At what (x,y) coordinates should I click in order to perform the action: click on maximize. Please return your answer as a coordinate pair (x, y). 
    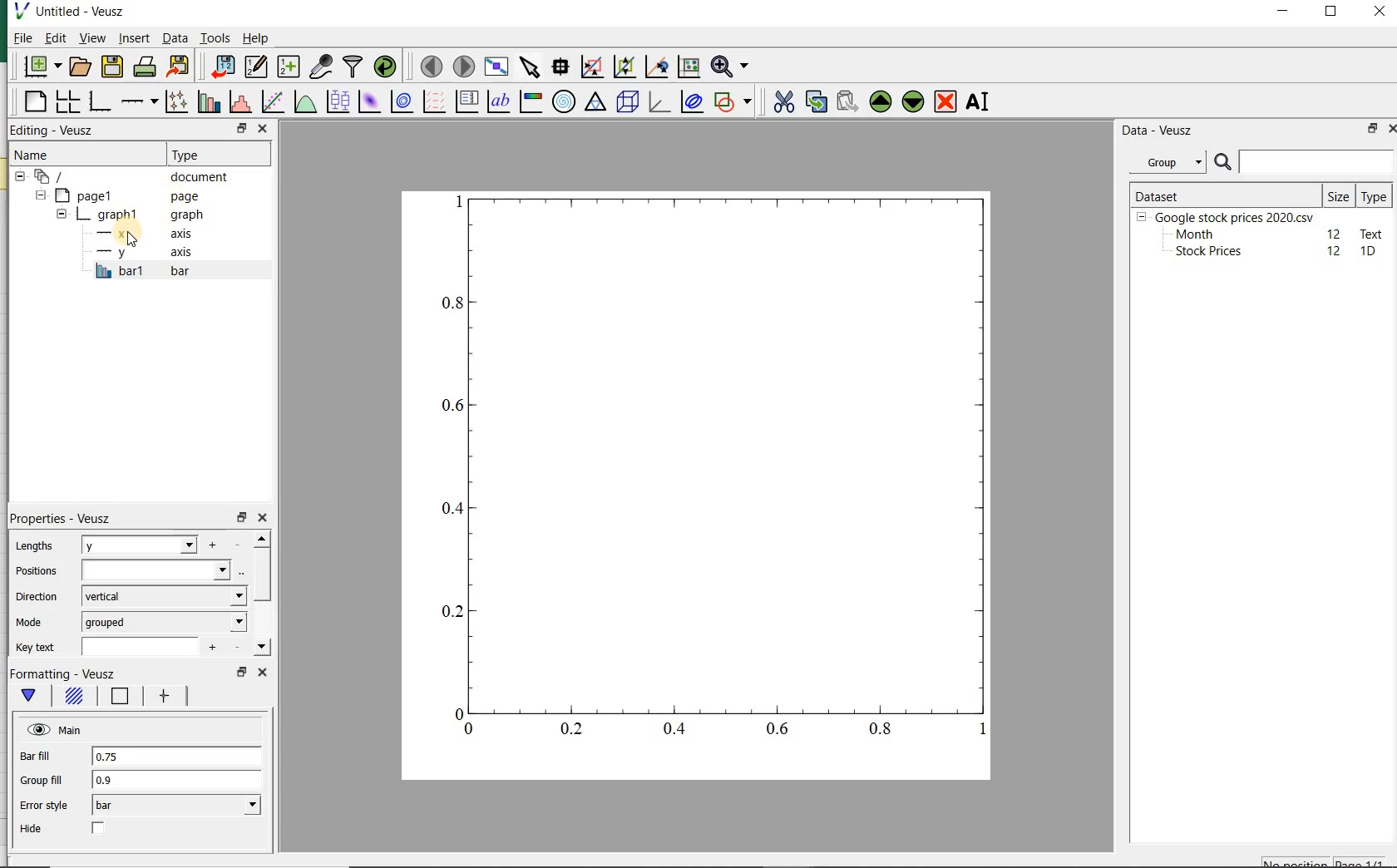
    Looking at the image, I should click on (1334, 13).